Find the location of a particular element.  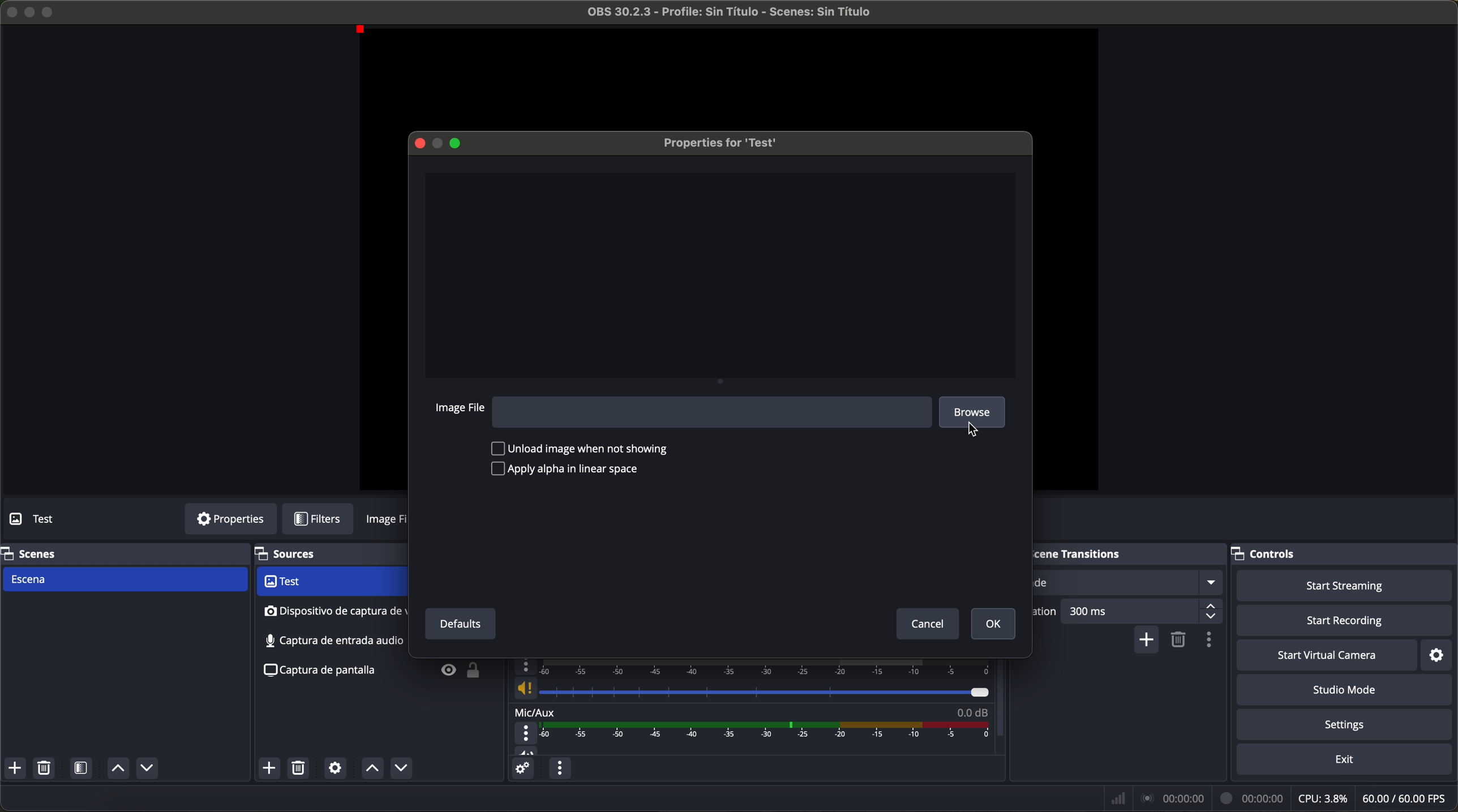

timeline is located at coordinates (755, 667).